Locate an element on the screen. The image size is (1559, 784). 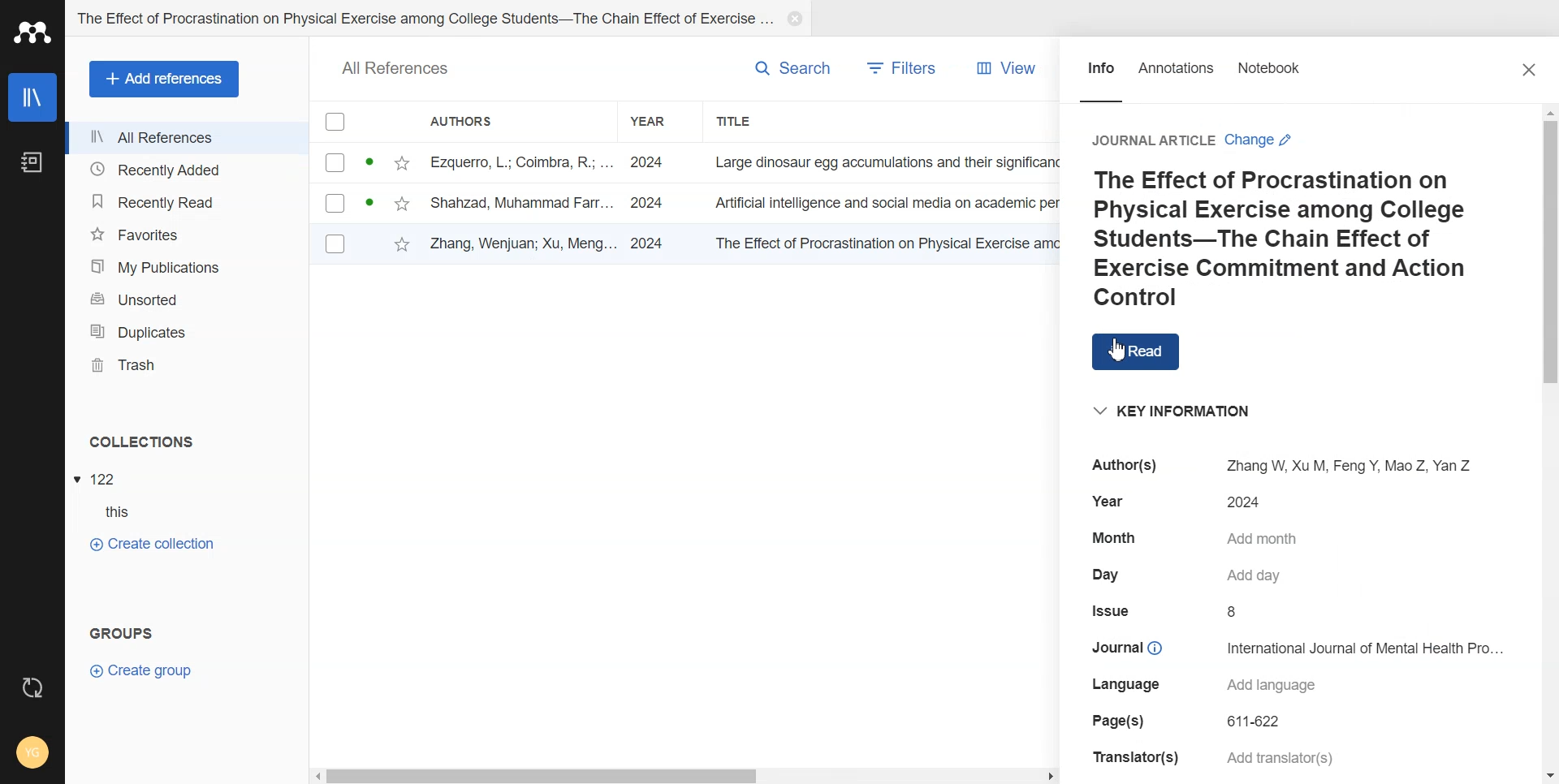
Cursor is located at coordinates (1123, 350).